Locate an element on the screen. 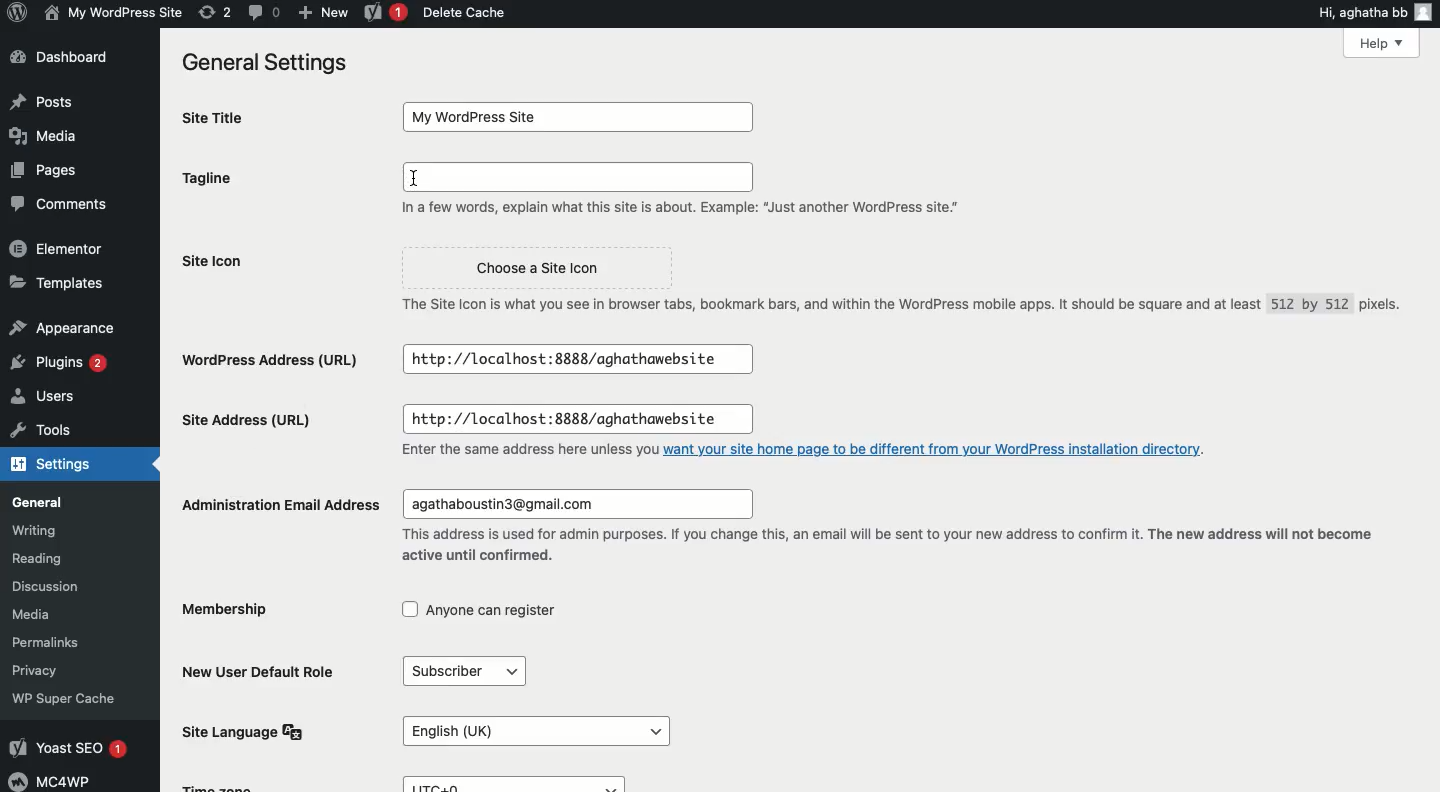 Image resolution: width=1440 pixels, height=792 pixels. Writing is located at coordinates (45, 529).